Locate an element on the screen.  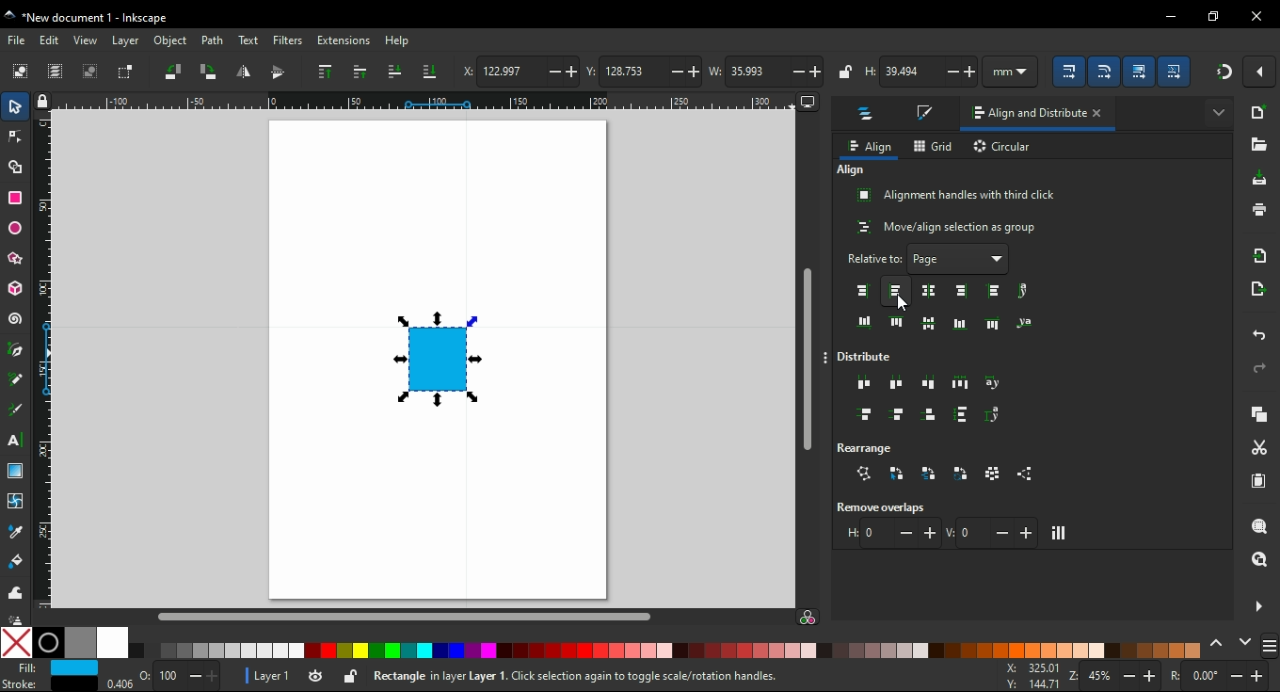
cursor co-ordinates is located at coordinates (1029, 676).